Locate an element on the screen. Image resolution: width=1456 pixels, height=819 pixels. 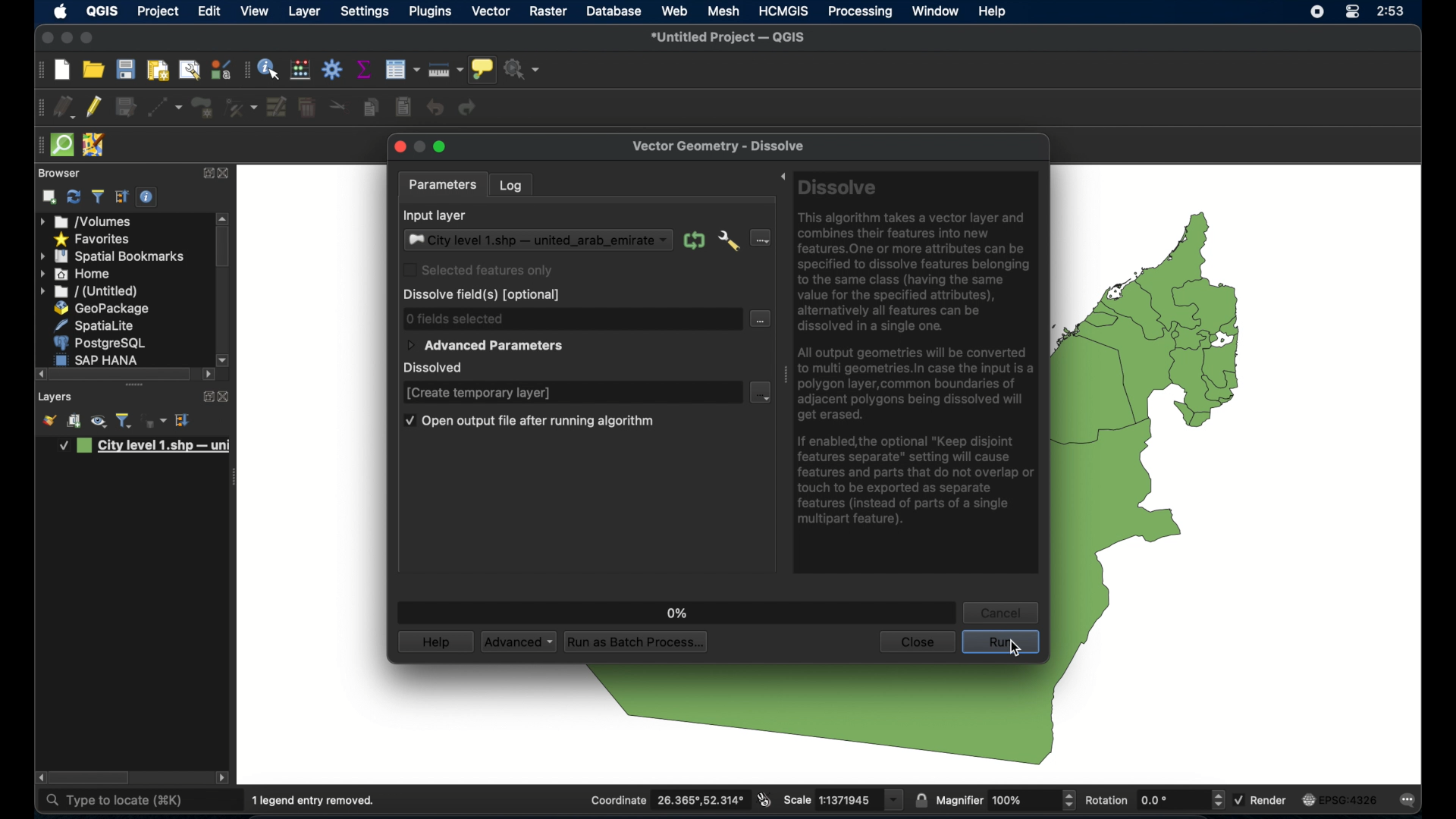
modify attributes is located at coordinates (275, 107).